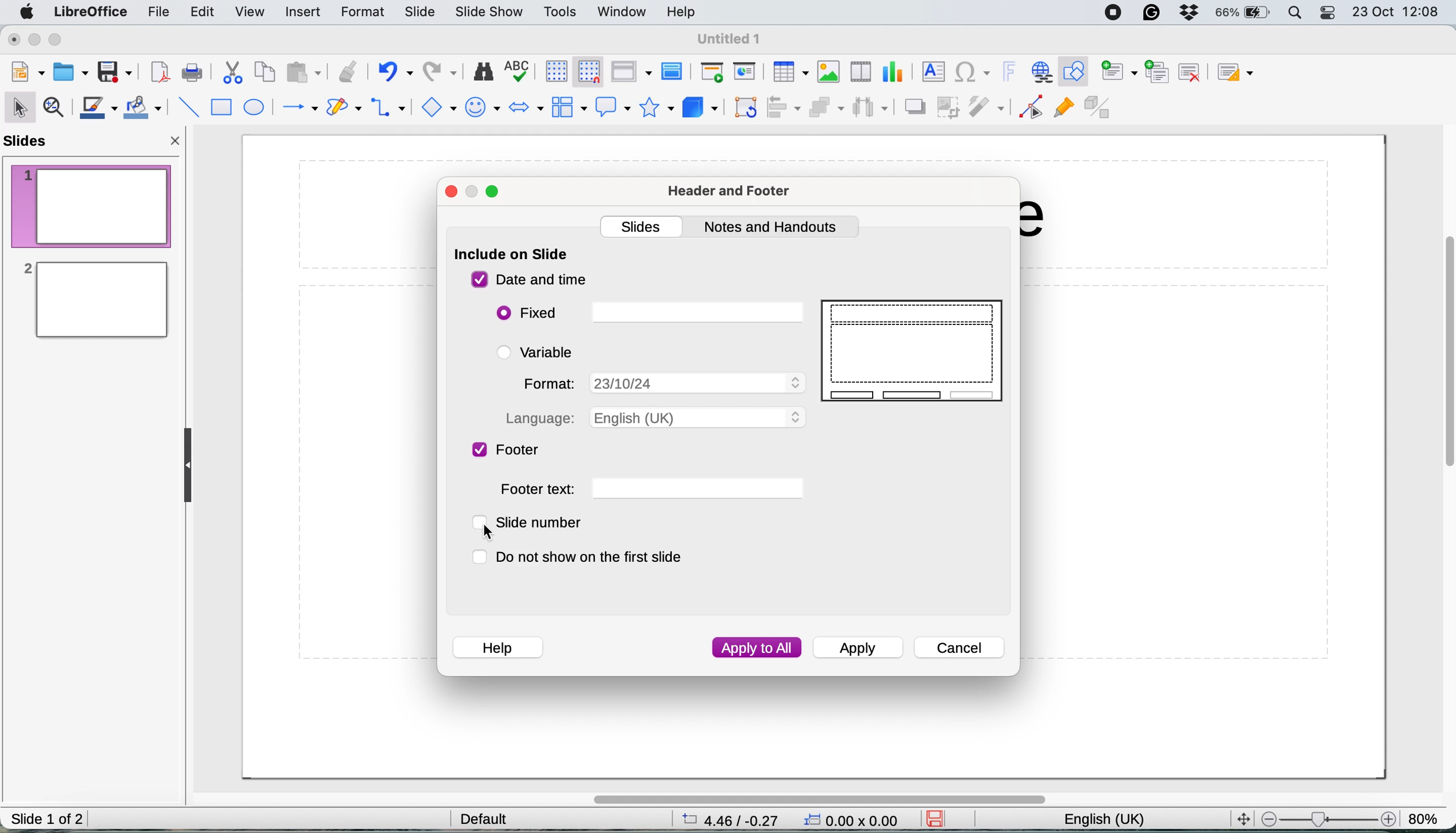 This screenshot has width=1456, height=833. What do you see at coordinates (177, 144) in the screenshot?
I see `close` at bounding box center [177, 144].